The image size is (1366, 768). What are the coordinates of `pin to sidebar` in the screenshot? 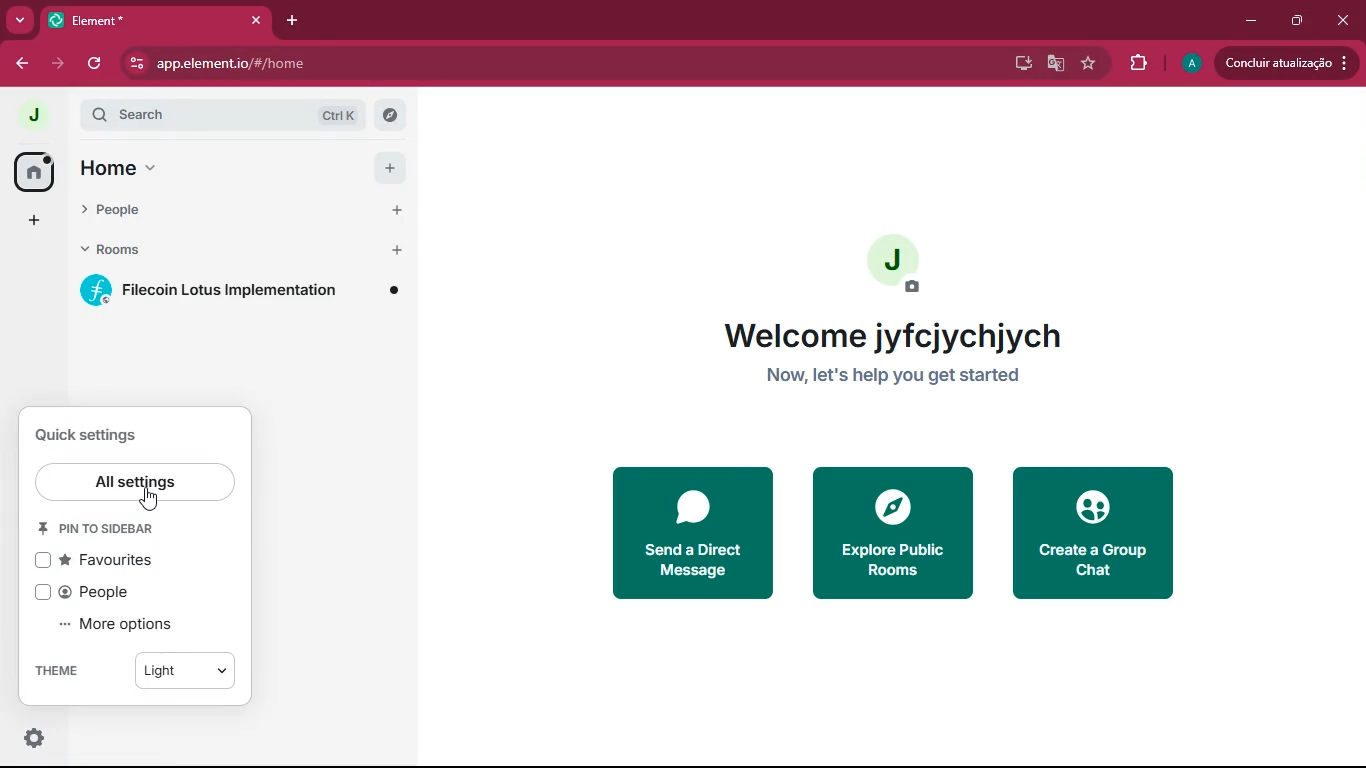 It's located at (108, 532).